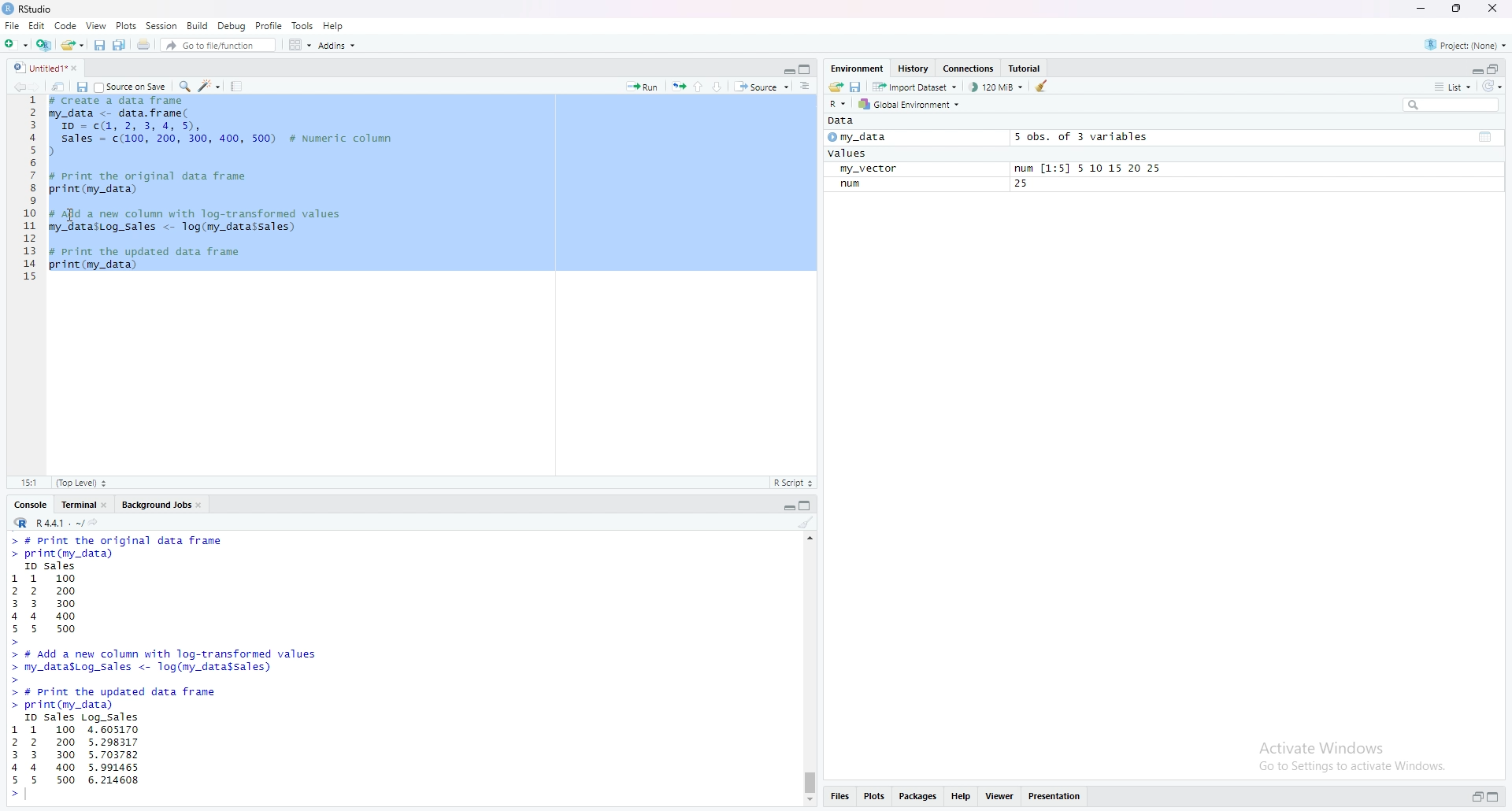  I want to click on minimize, so click(784, 69).